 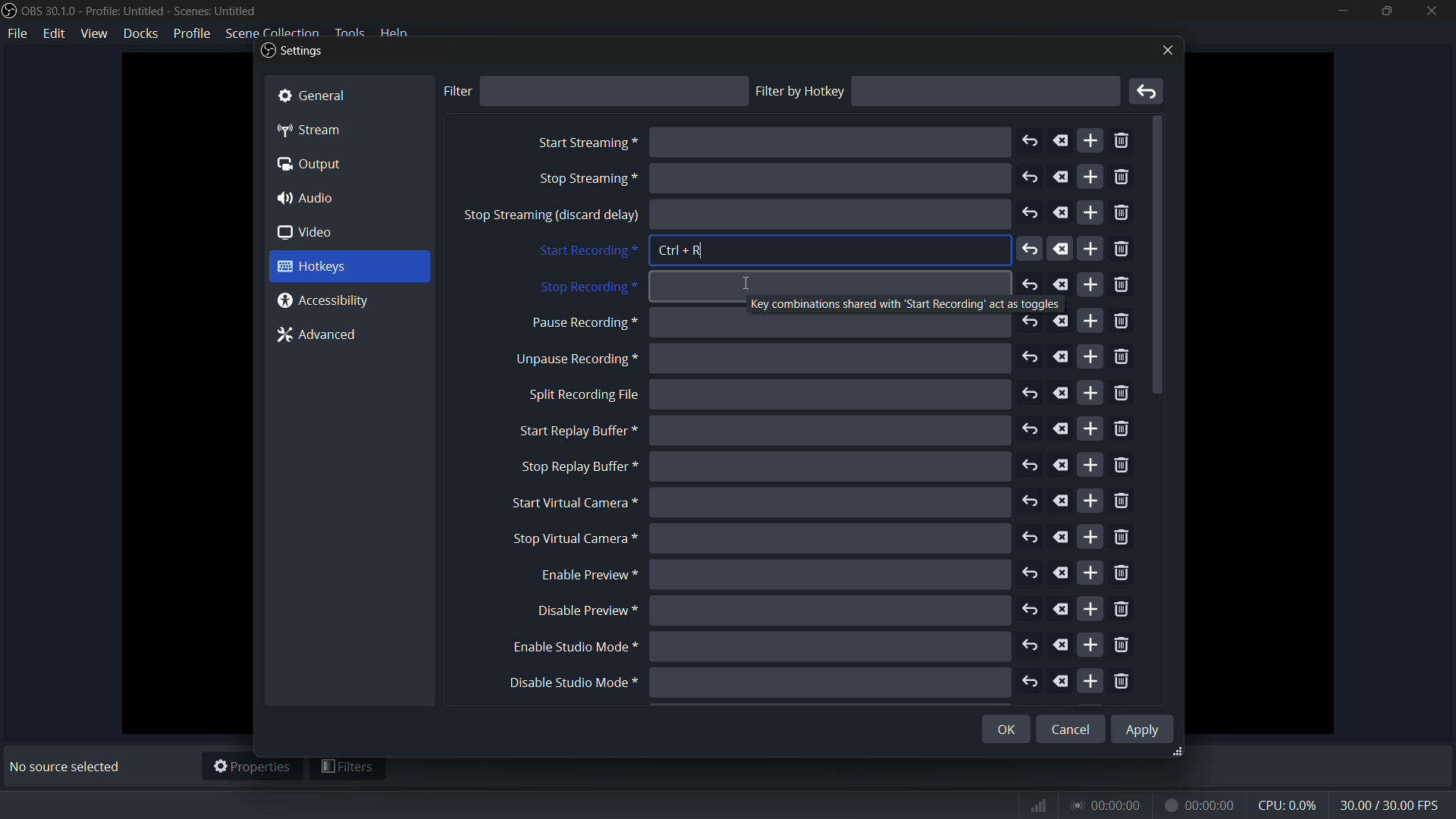 What do you see at coordinates (1063, 249) in the screenshot?
I see `delete` at bounding box center [1063, 249].